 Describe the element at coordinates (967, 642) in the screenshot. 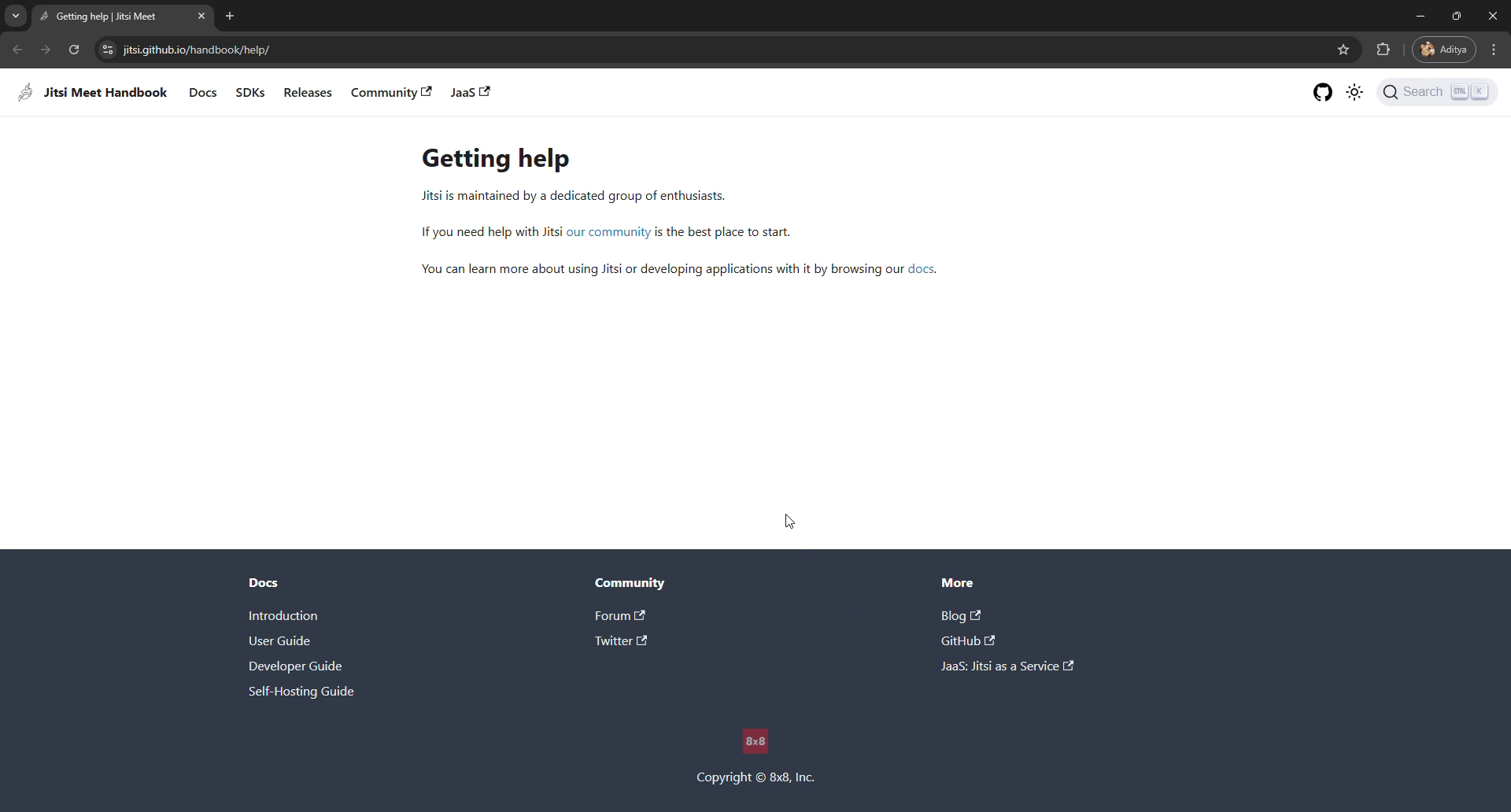

I see `github` at that location.